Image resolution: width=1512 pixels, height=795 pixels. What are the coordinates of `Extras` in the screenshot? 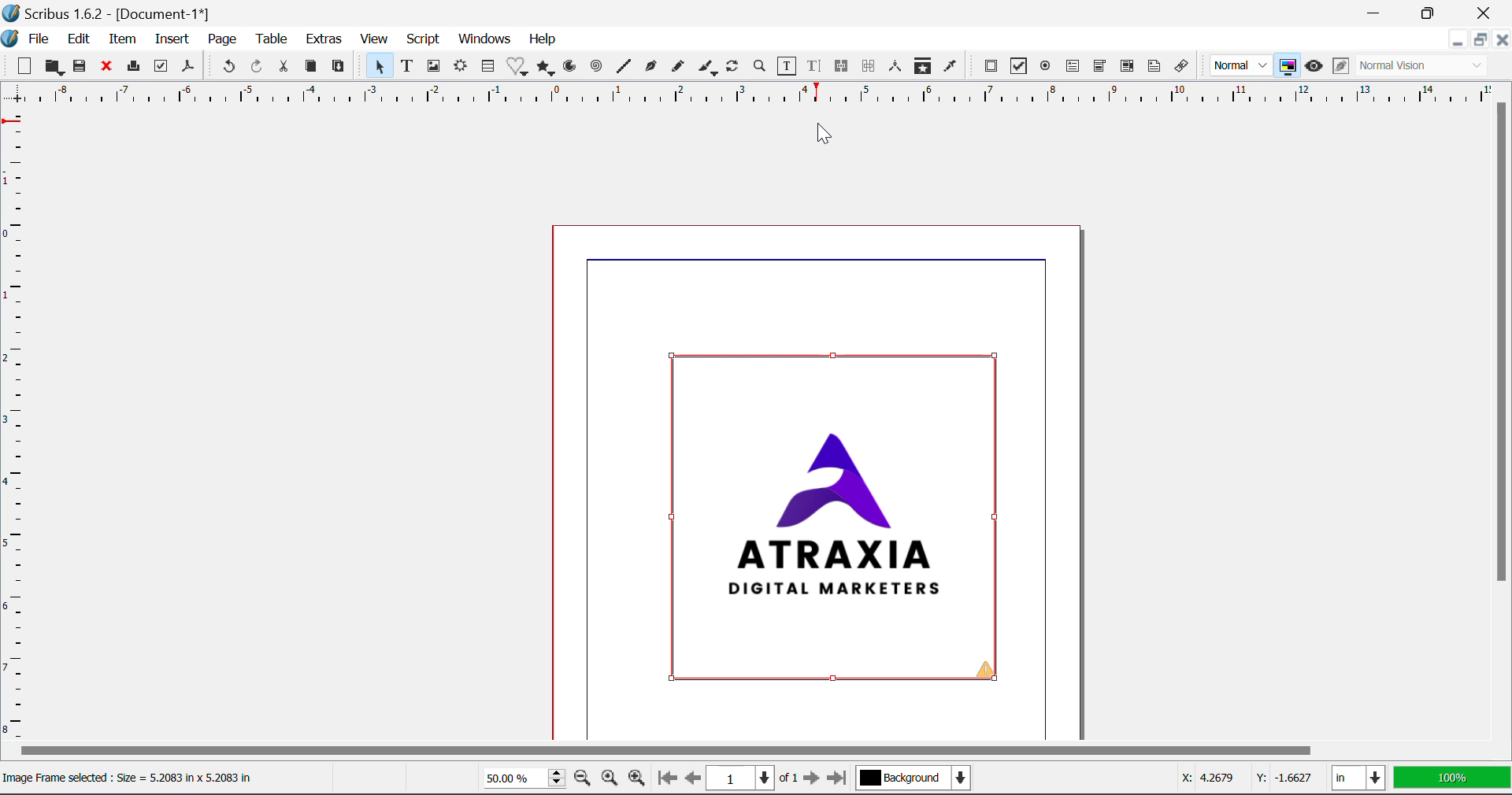 It's located at (325, 39).